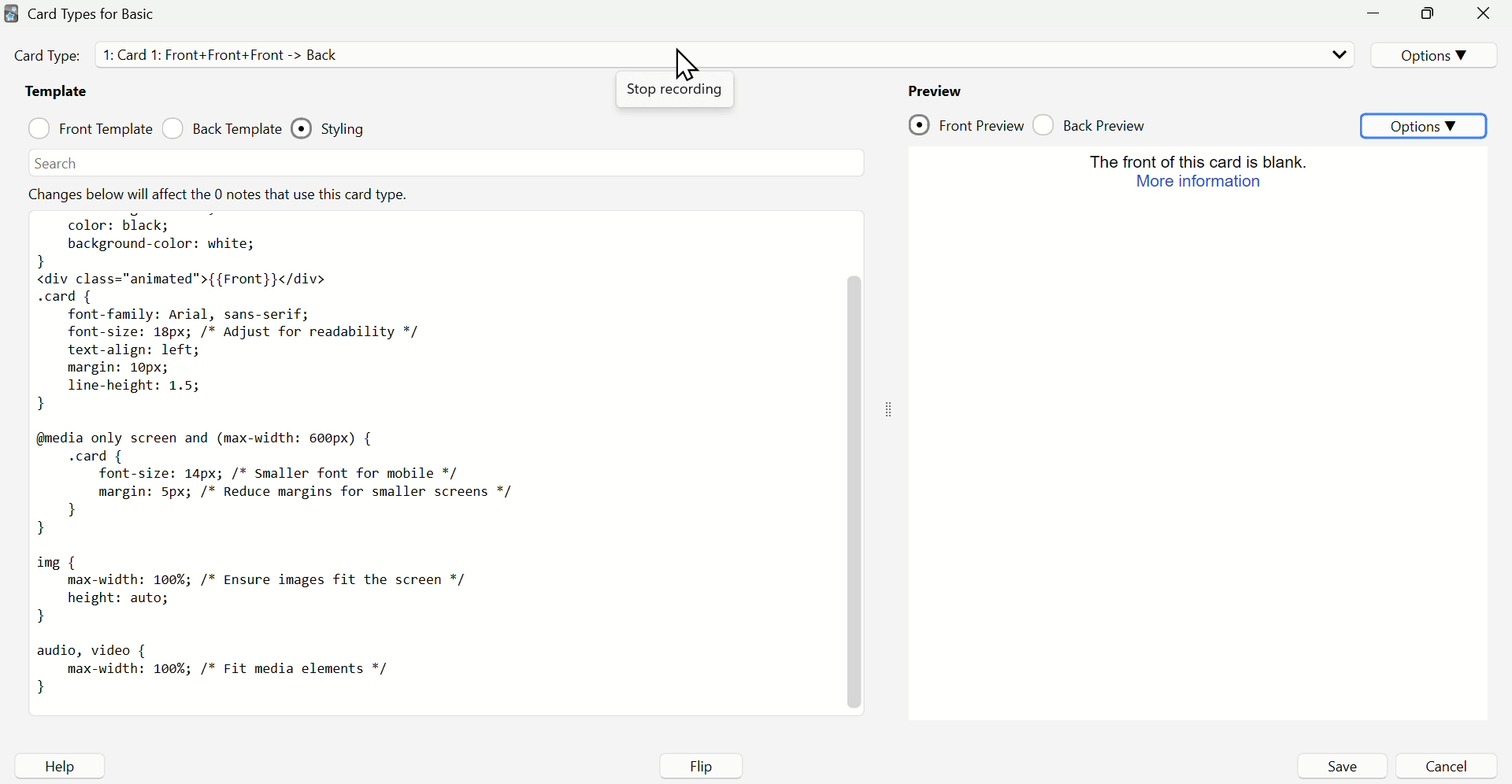 This screenshot has height=784, width=1512. Describe the element at coordinates (203, 56) in the screenshot. I see `Card Type` at that location.